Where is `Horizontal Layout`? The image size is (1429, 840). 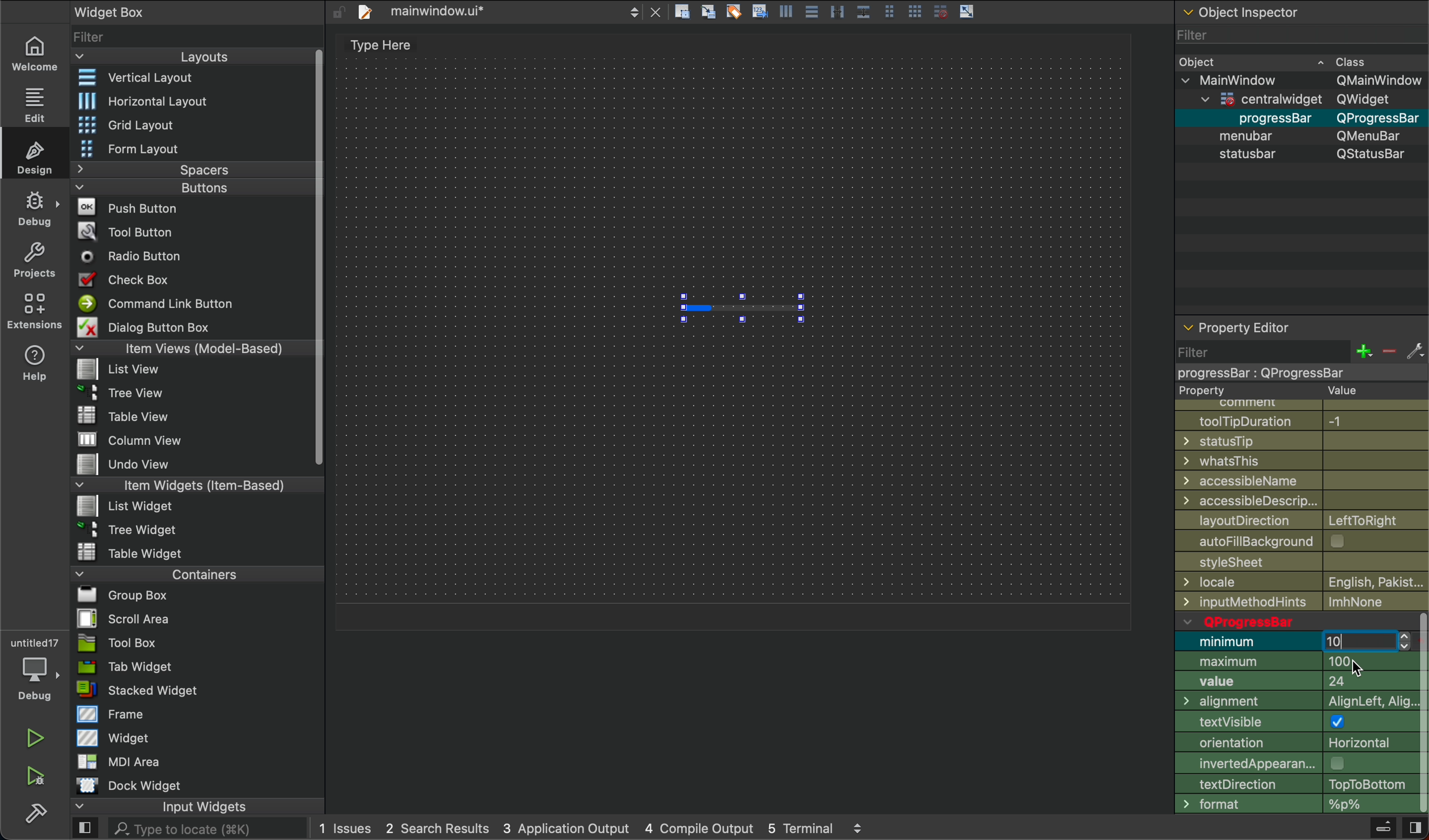 Horizontal Layout is located at coordinates (184, 101).